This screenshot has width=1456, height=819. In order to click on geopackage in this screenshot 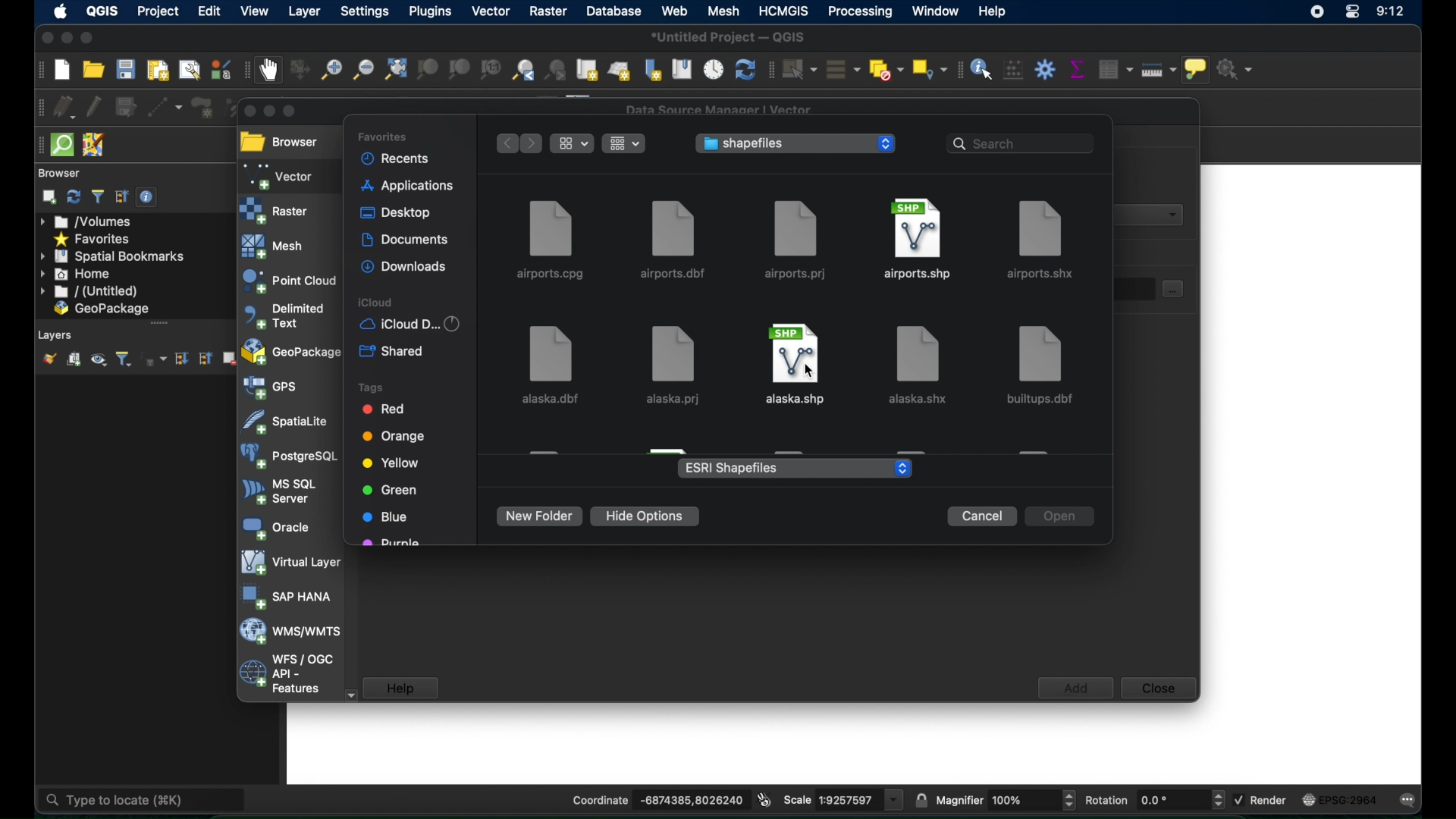, I will do `click(292, 353)`.